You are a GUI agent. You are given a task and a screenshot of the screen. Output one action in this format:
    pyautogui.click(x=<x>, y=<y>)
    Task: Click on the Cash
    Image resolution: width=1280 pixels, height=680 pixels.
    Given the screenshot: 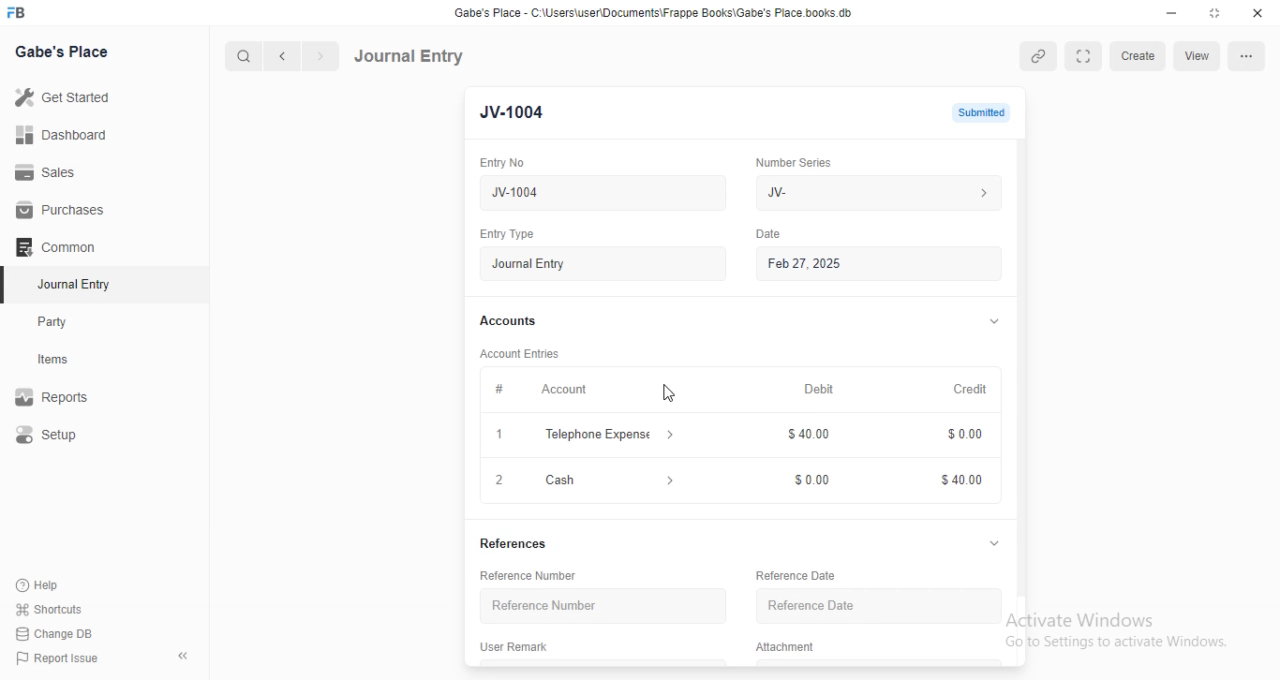 What is the action you would take?
    pyautogui.click(x=609, y=479)
    